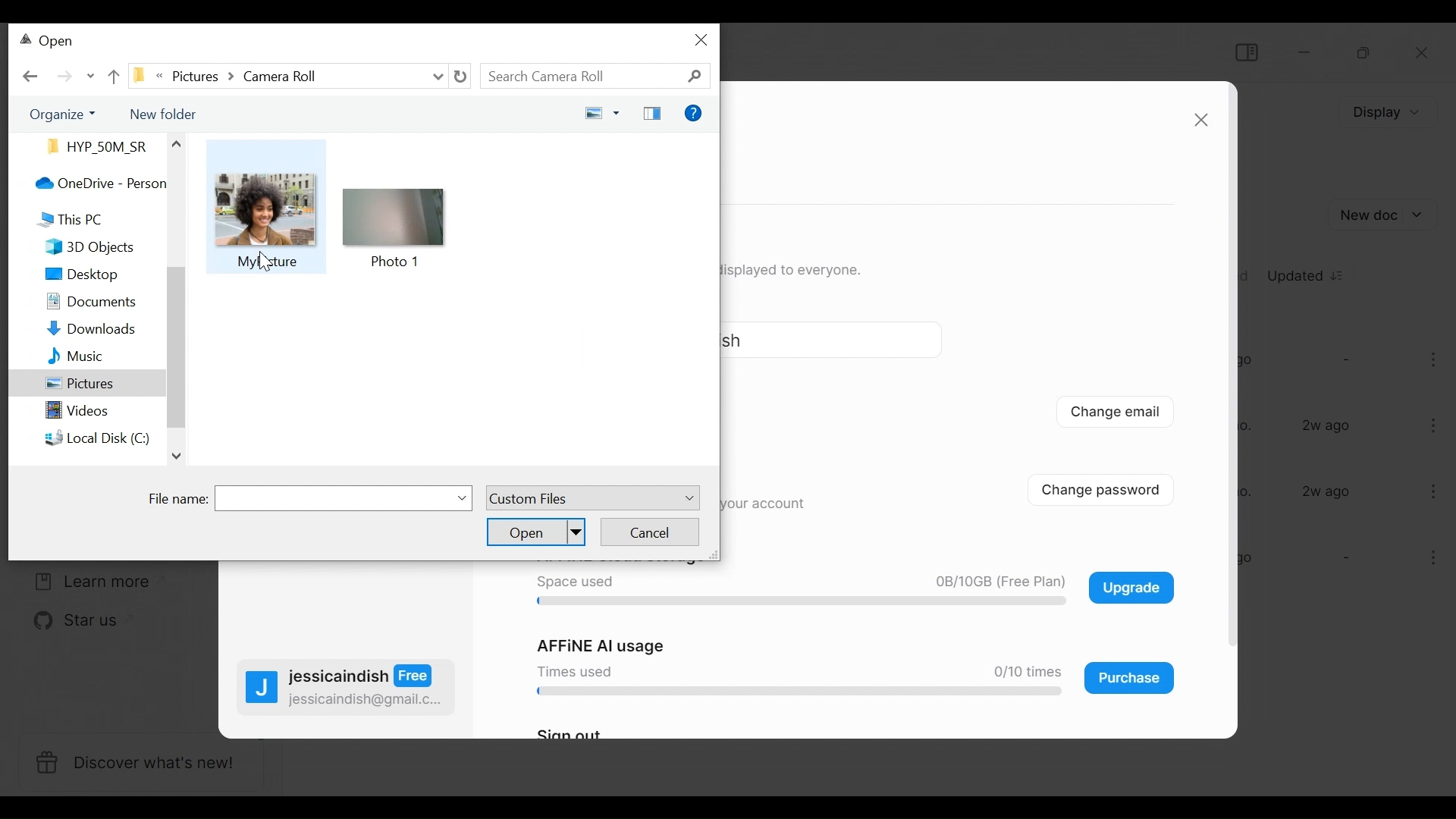 The height and width of the screenshot is (819, 1456). What do you see at coordinates (174, 143) in the screenshot?
I see `` at bounding box center [174, 143].